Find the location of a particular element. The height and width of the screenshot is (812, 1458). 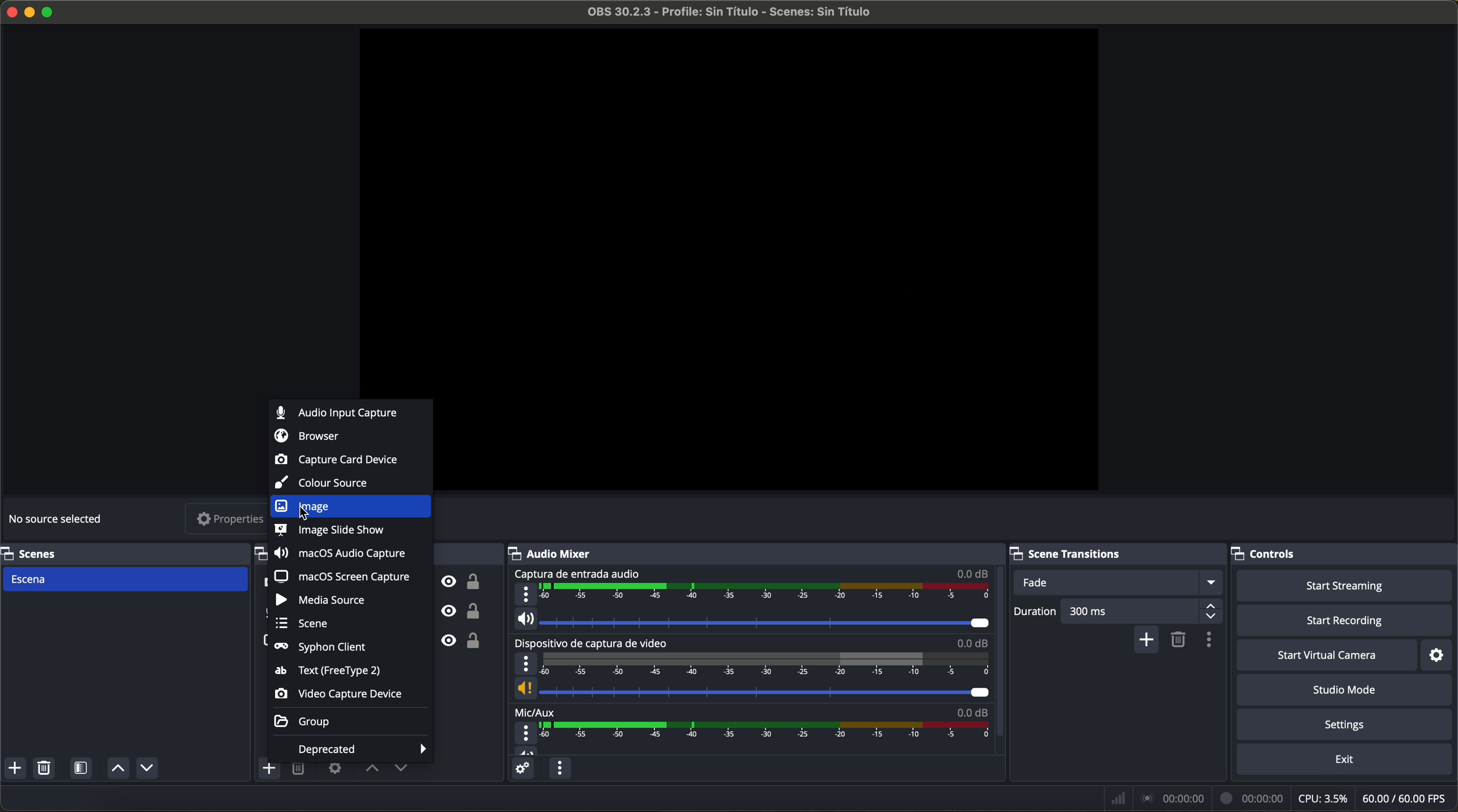

syphon client is located at coordinates (321, 648).